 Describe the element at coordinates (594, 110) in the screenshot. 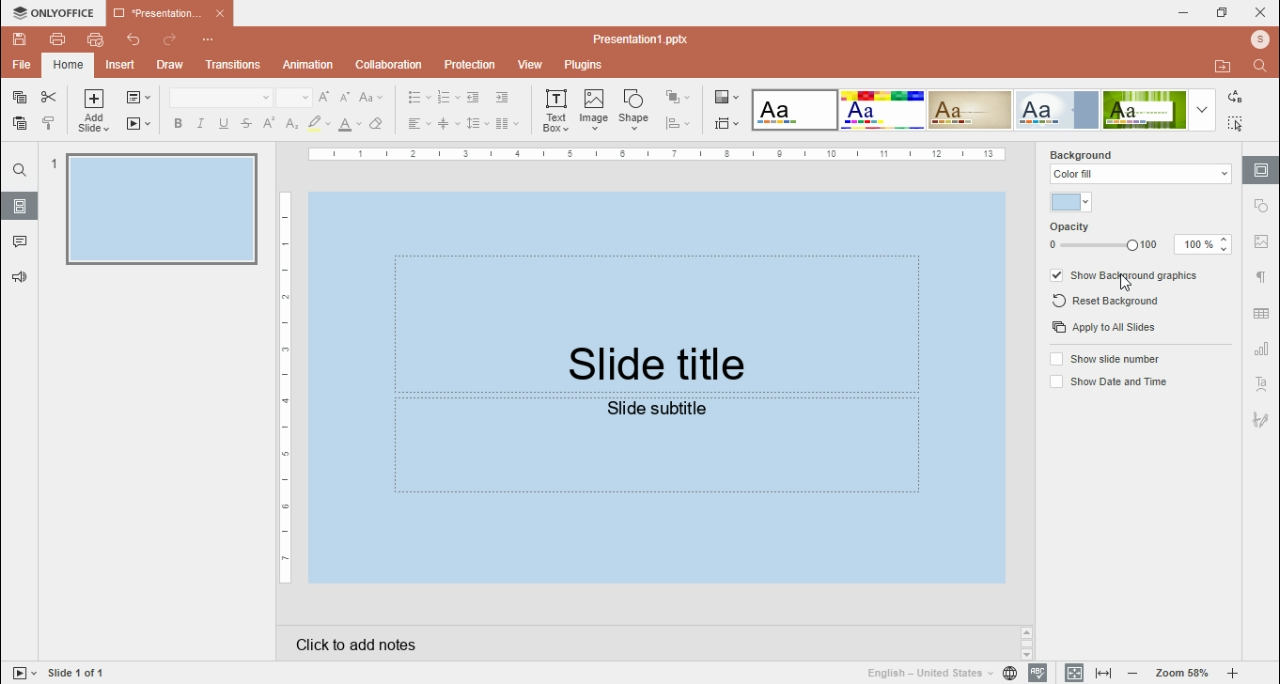

I see `image` at that location.